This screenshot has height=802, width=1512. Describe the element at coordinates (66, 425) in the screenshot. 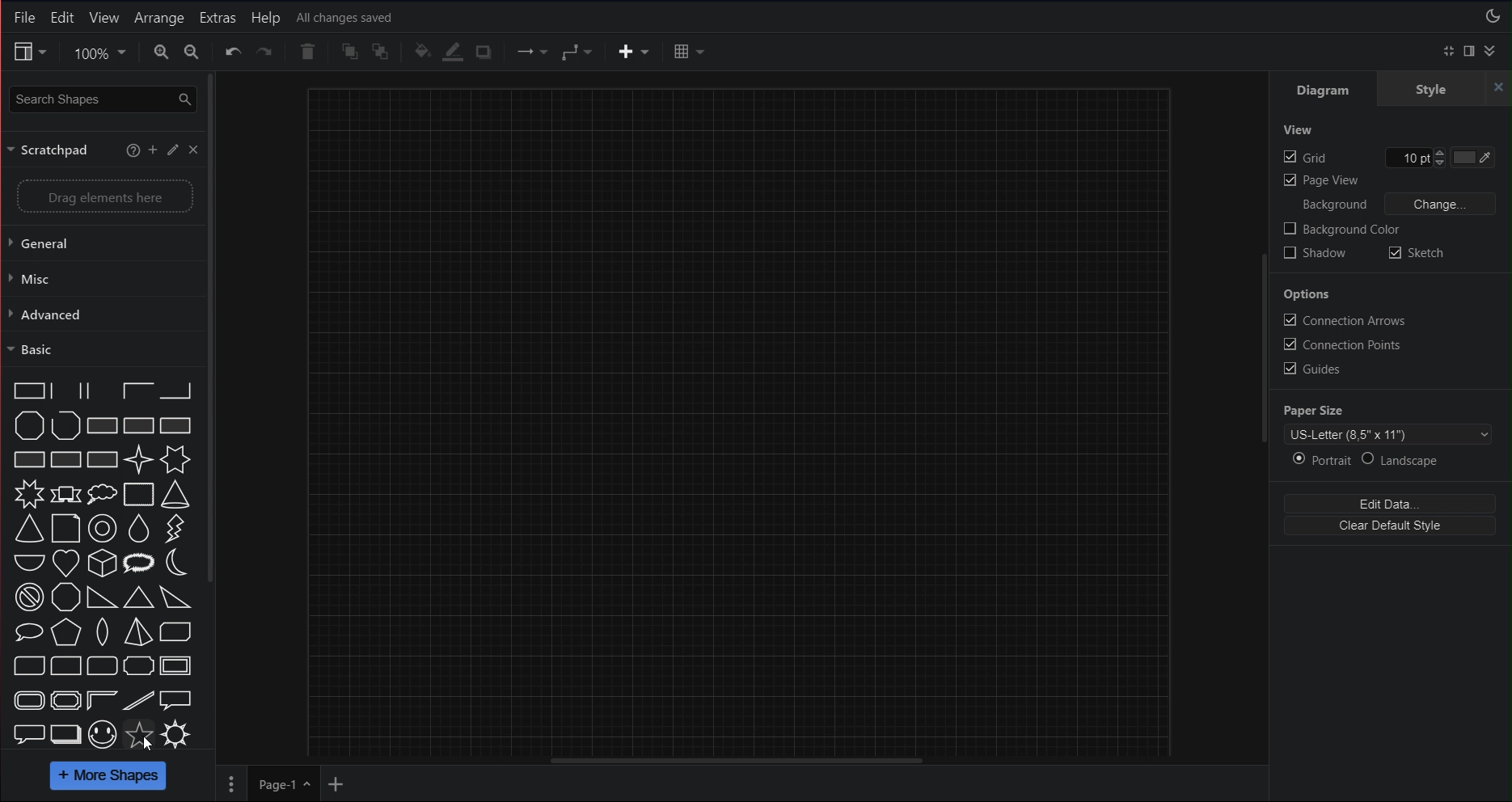

I see `polyline` at that location.